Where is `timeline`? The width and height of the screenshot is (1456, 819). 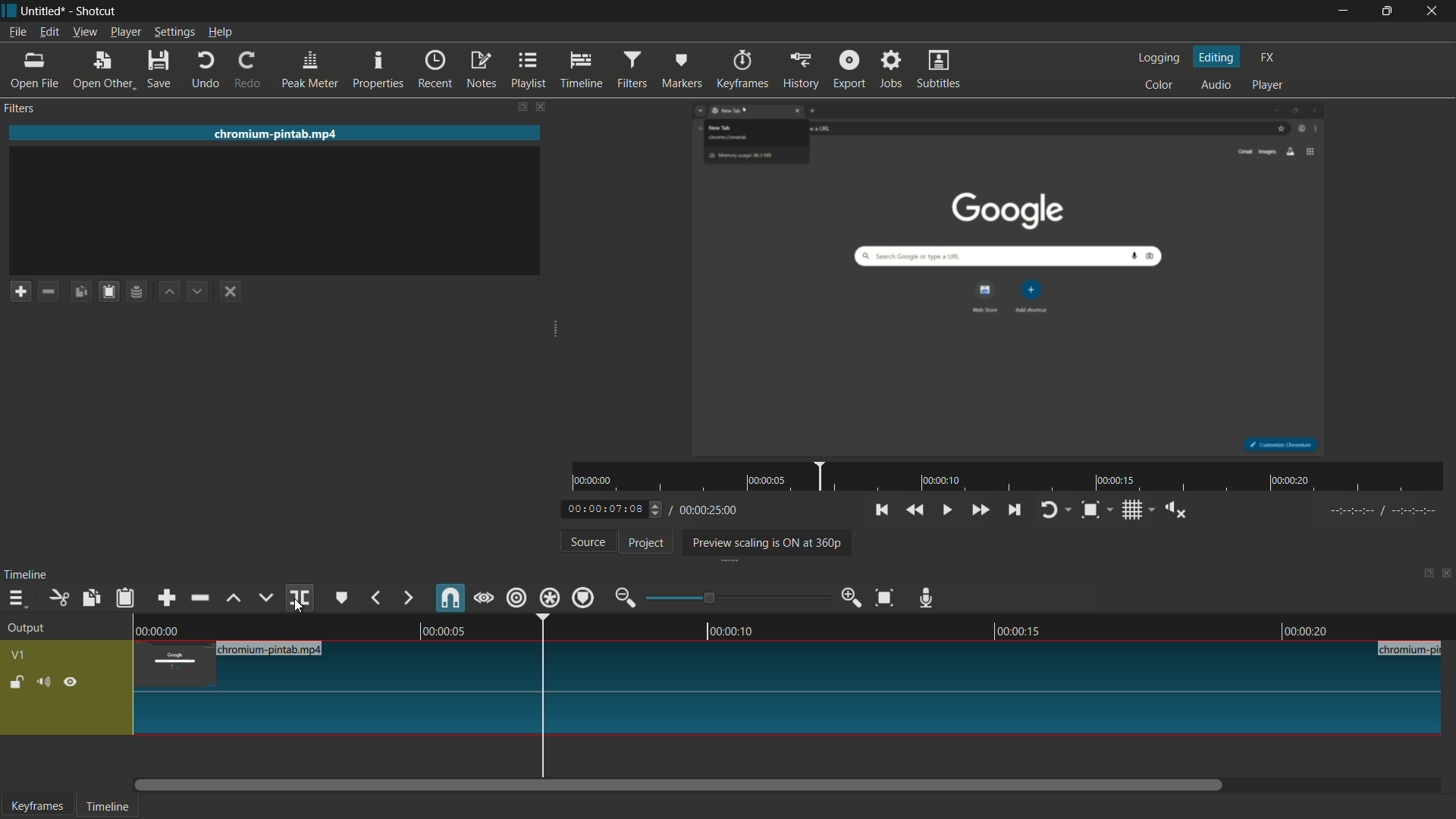
timeline is located at coordinates (582, 70).